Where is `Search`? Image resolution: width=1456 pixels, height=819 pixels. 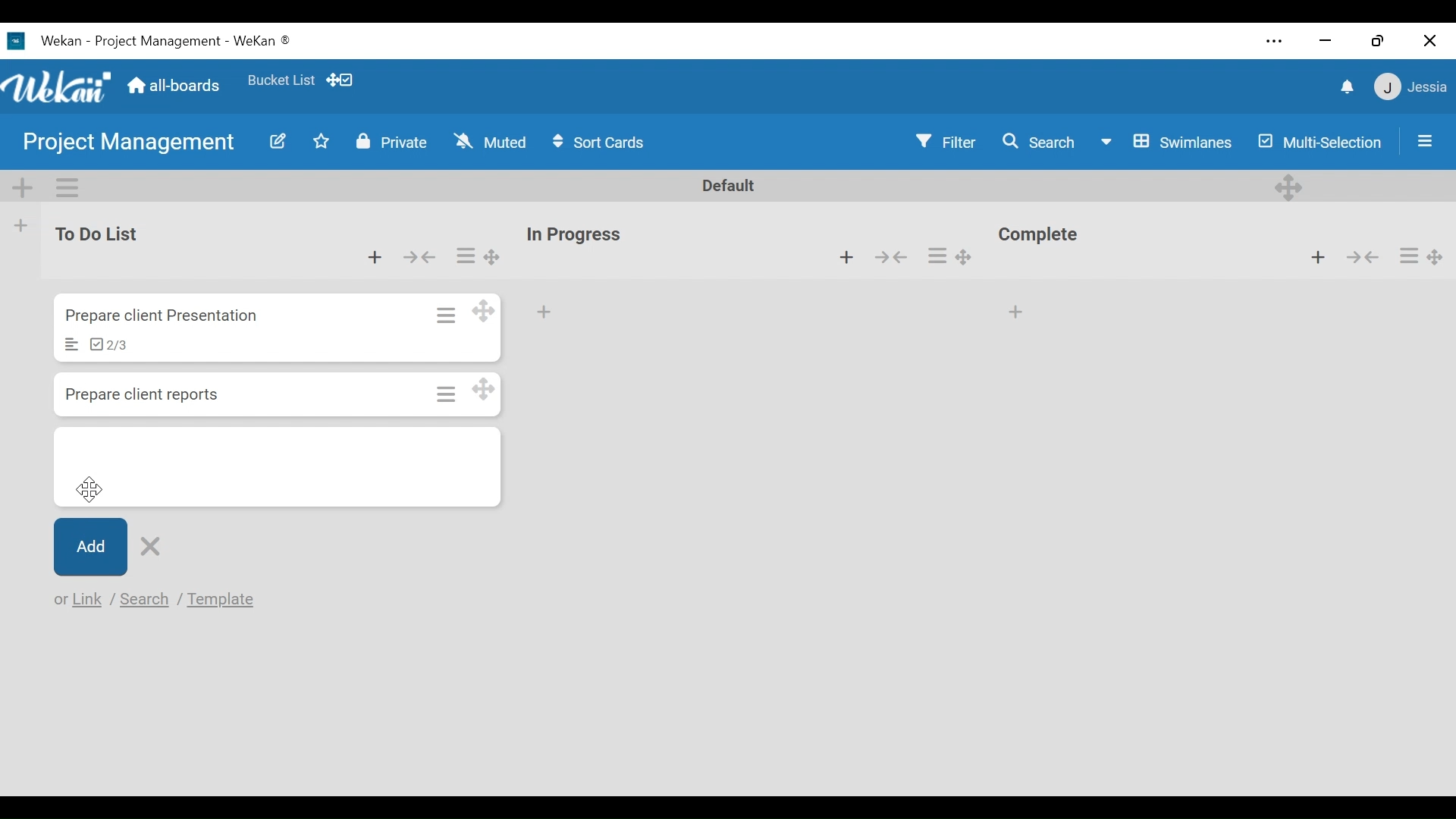 Search is located at coordinates (1036, 142).